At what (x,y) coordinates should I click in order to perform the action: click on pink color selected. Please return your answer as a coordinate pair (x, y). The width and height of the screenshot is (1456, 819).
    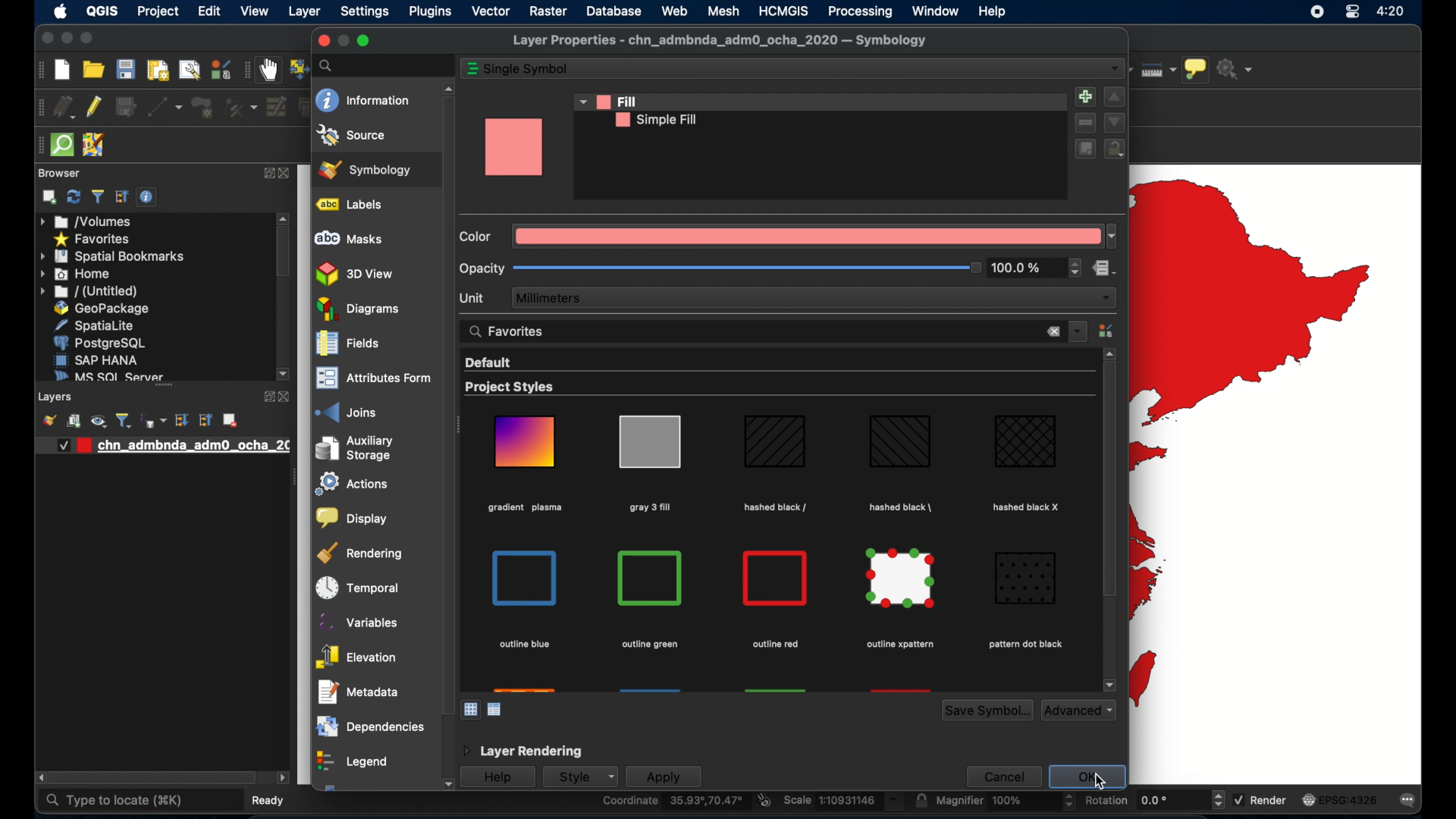
    Looking at the image, I should click on (817, 237).